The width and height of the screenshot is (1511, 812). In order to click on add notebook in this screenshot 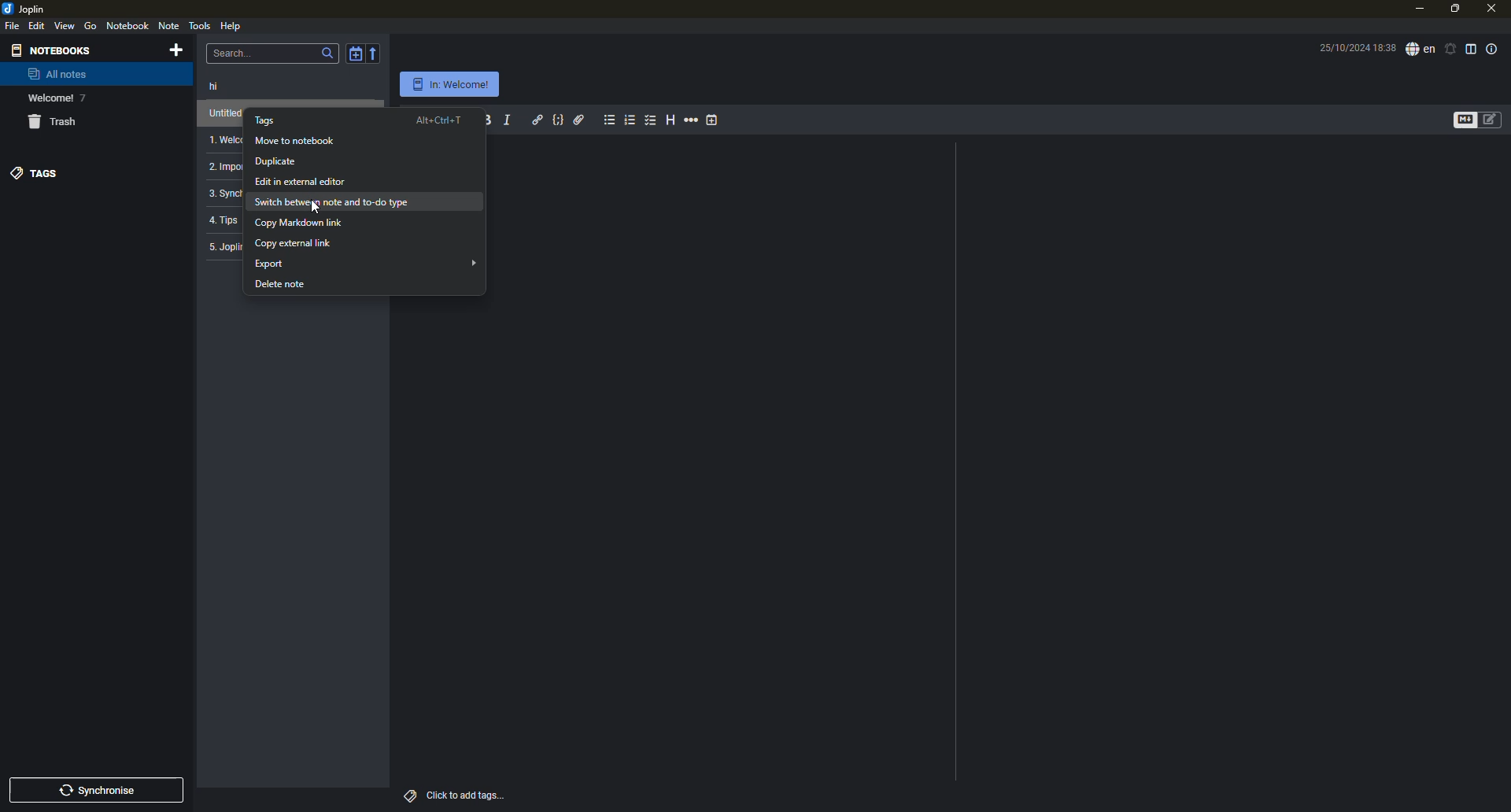, I will do `click(175, 50)`.